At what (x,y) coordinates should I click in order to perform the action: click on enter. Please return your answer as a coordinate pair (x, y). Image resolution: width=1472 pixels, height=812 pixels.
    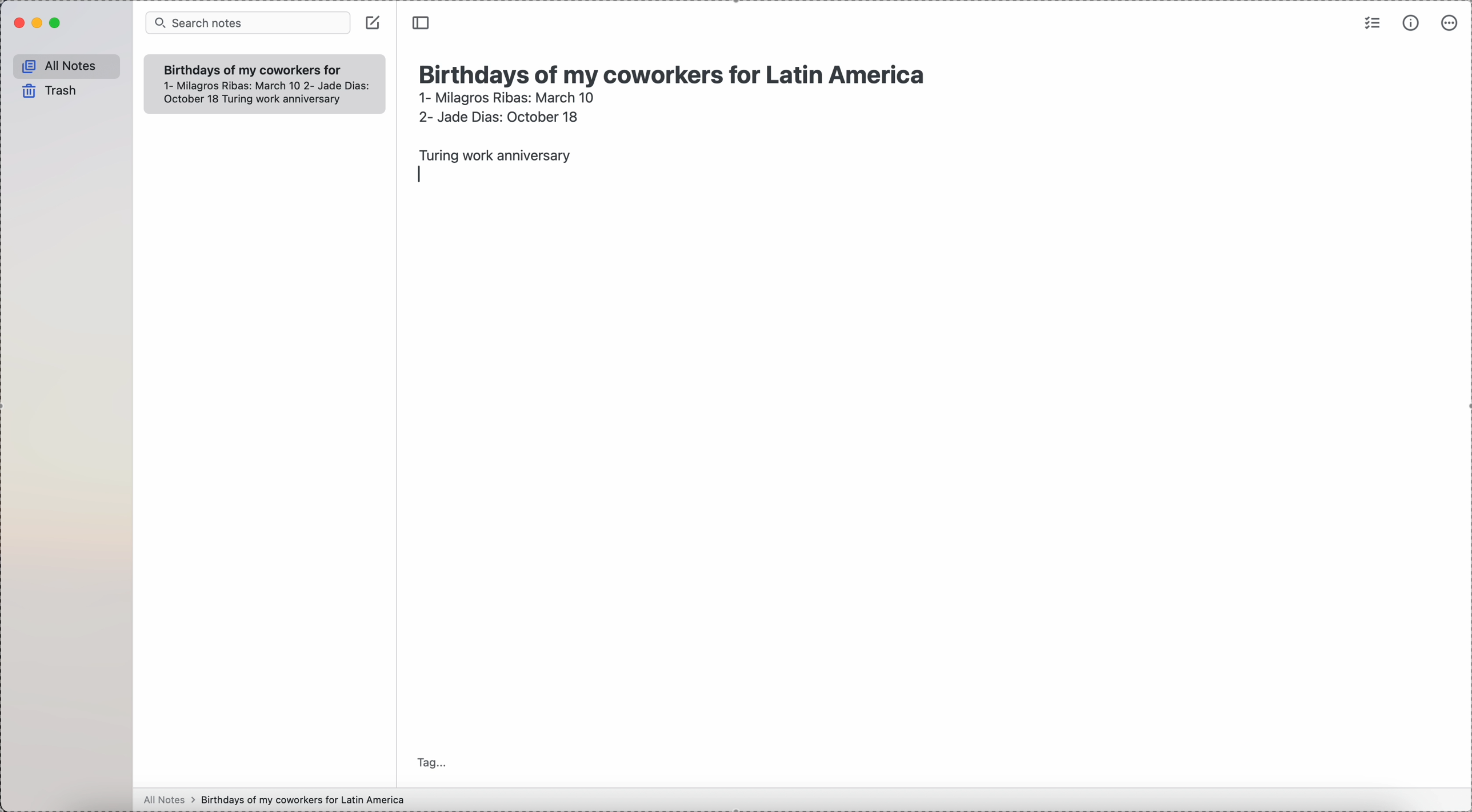
    Looking at the image, I should click on (419, 174).